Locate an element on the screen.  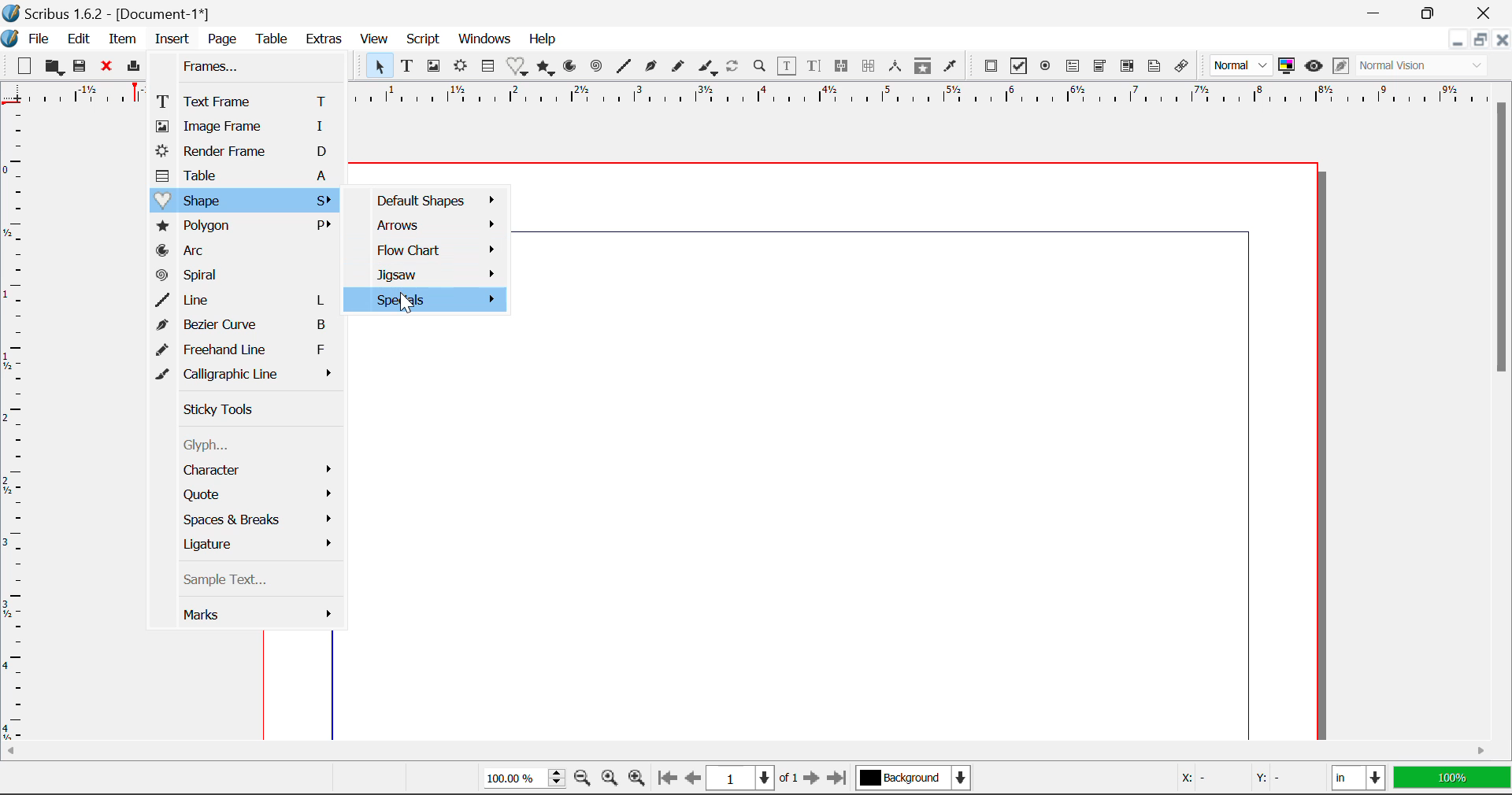
Space & breaks is located at coordinates (252, 520).